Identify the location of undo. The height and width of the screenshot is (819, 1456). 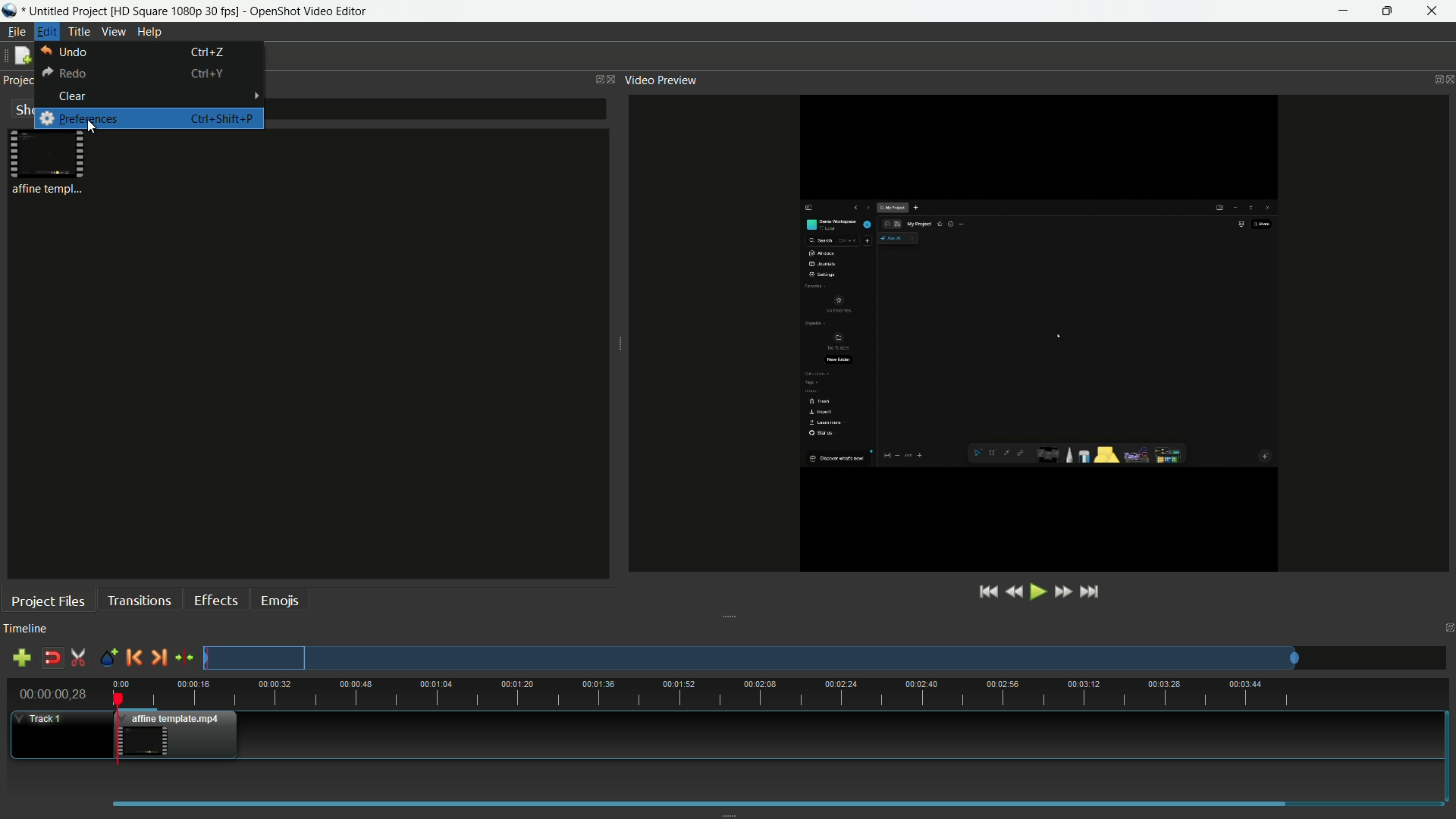
(63, 52).